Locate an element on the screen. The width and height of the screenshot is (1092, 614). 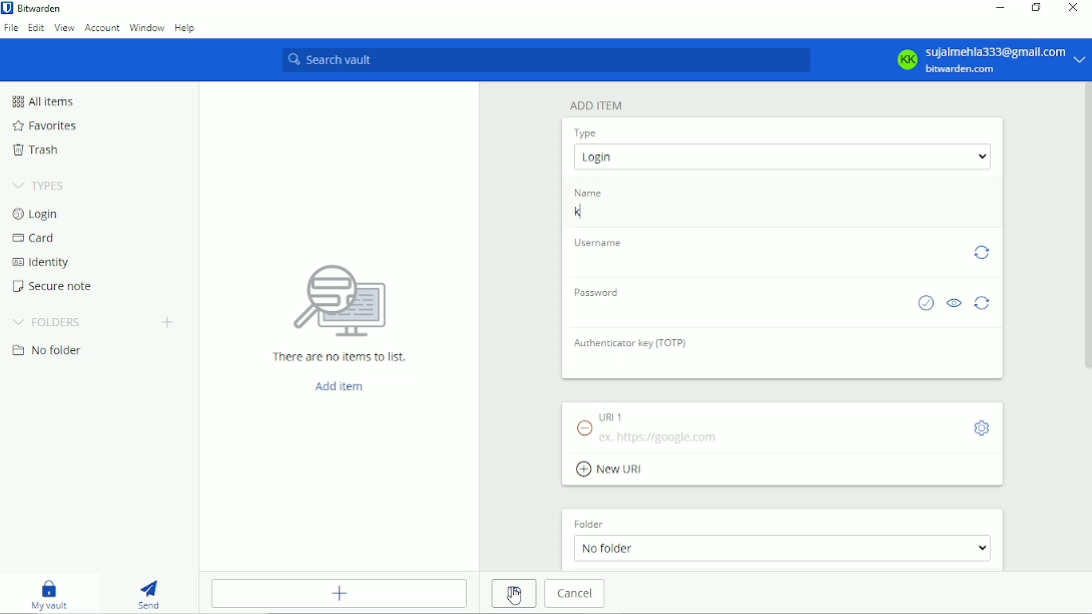
No folder is located at coordinates (47, 350).